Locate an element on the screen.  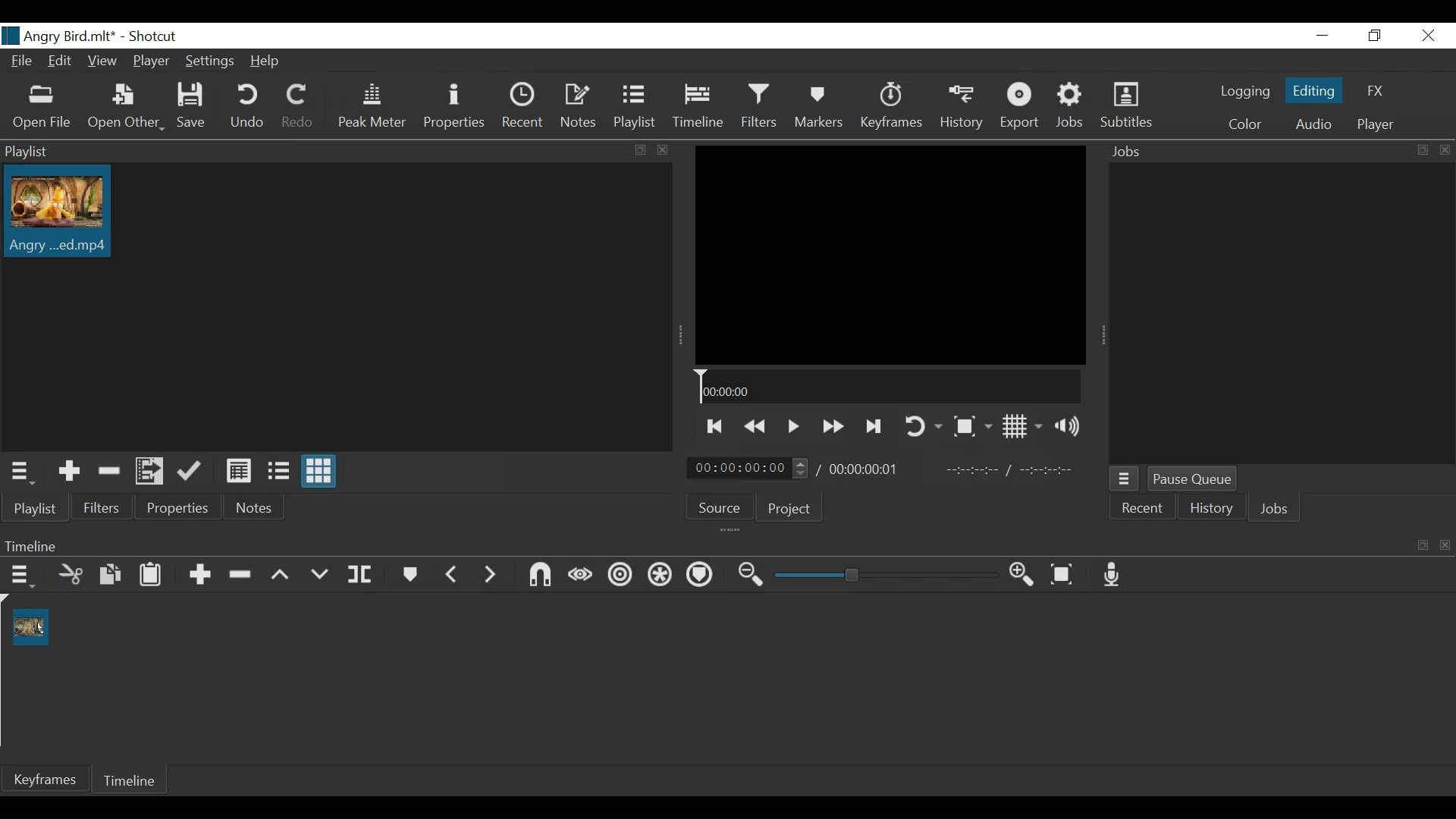
Properties is located at coordinates (179, 504).